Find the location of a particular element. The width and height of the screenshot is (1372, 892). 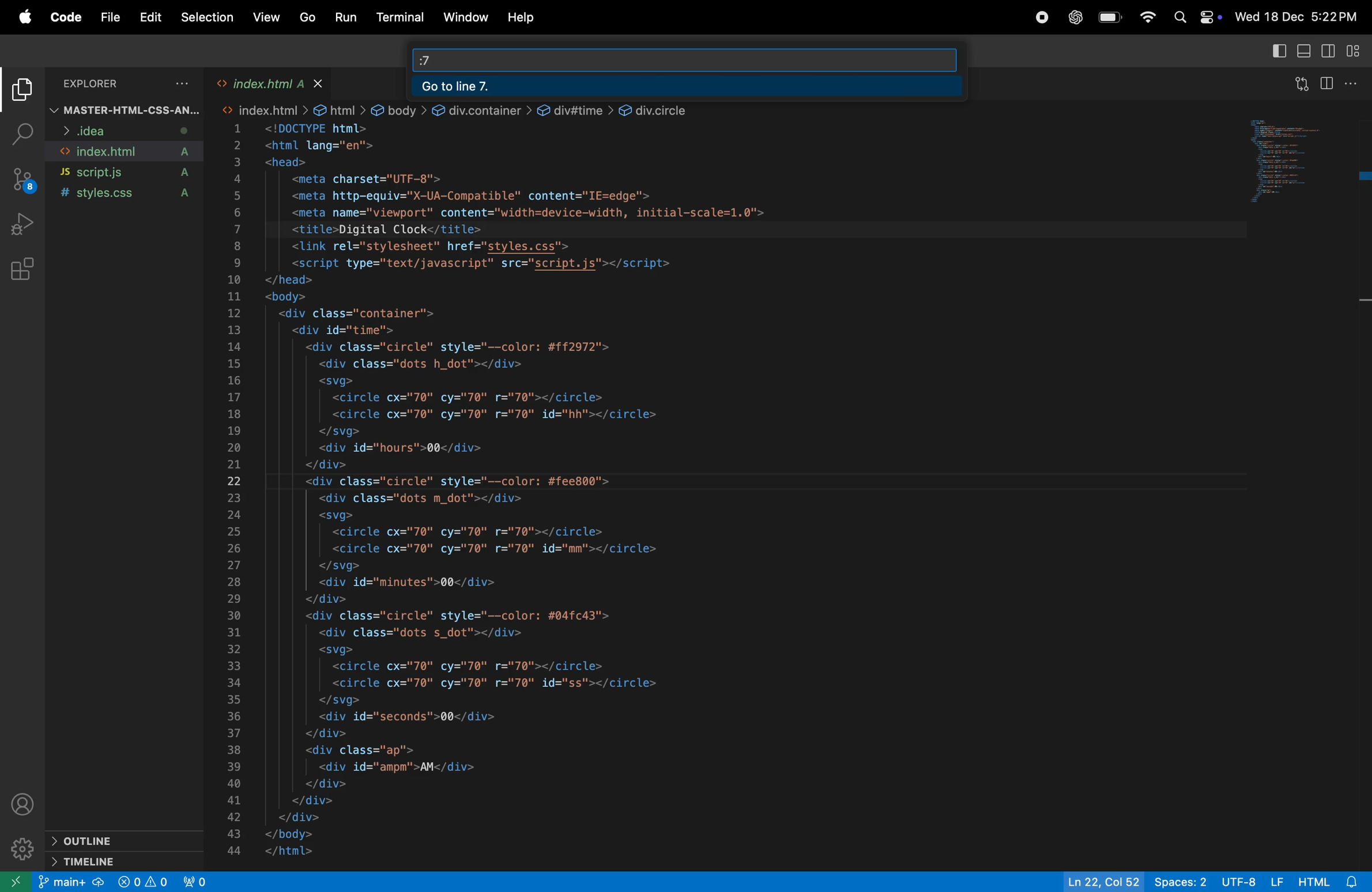

options is located at coordinates (1357, 85).